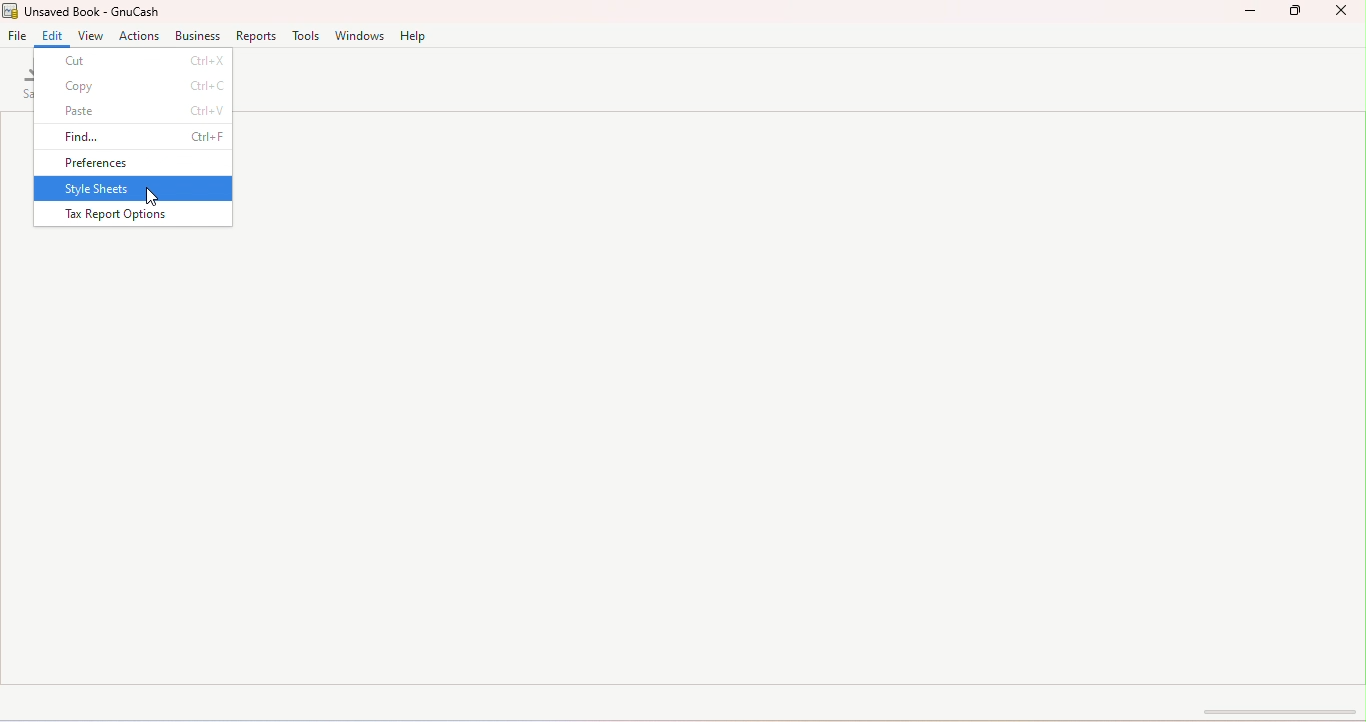 Image resolution: width=1366 pixels, height=722 pixels. What do you see at coordinates (131, 87) in the screenshot?
I see `copy` at bounding box center [131, 87].